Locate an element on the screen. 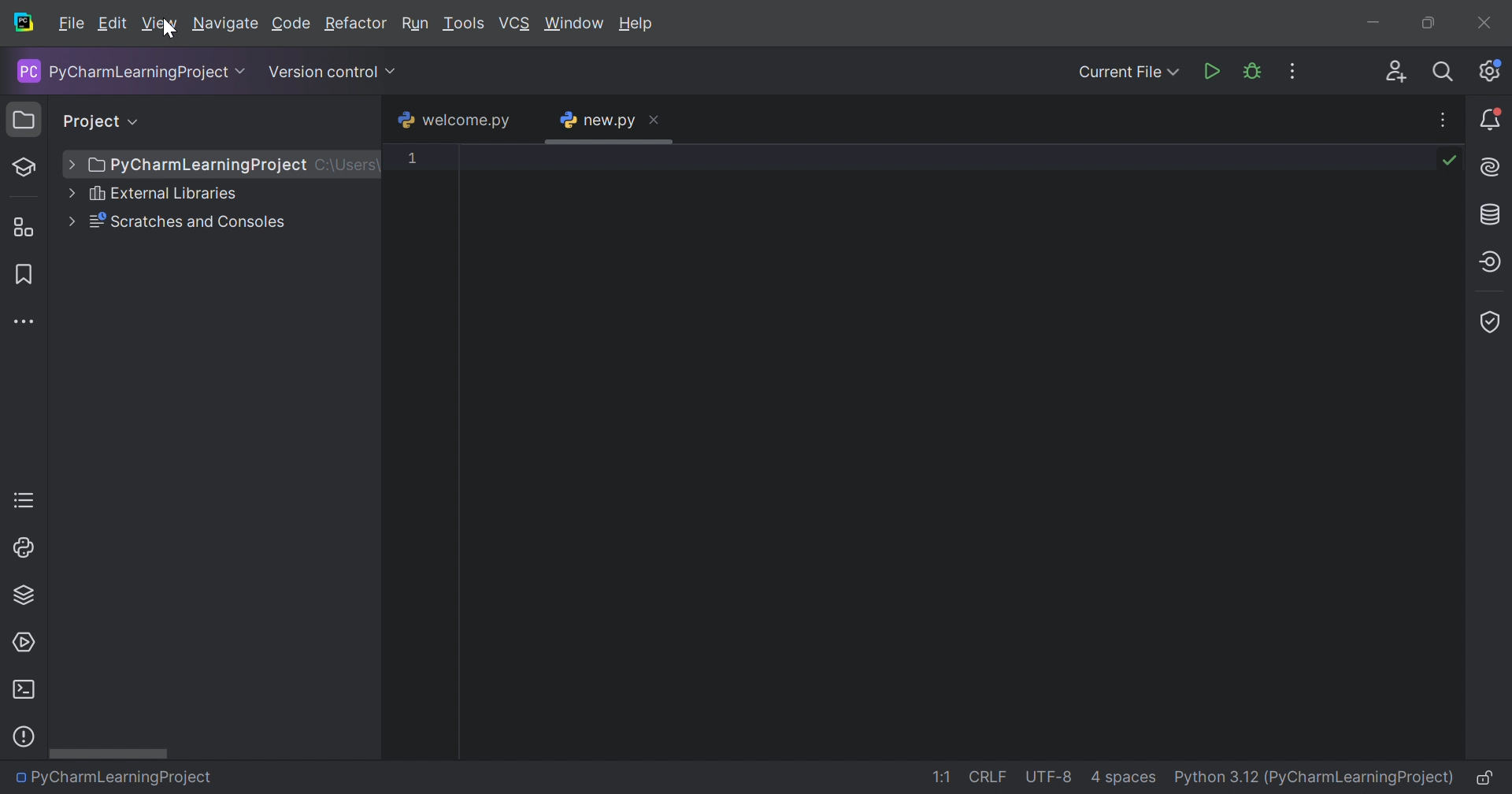 The height and width of the screenshot is (794, 1512). Python Console is located at coordinates (24, 548).